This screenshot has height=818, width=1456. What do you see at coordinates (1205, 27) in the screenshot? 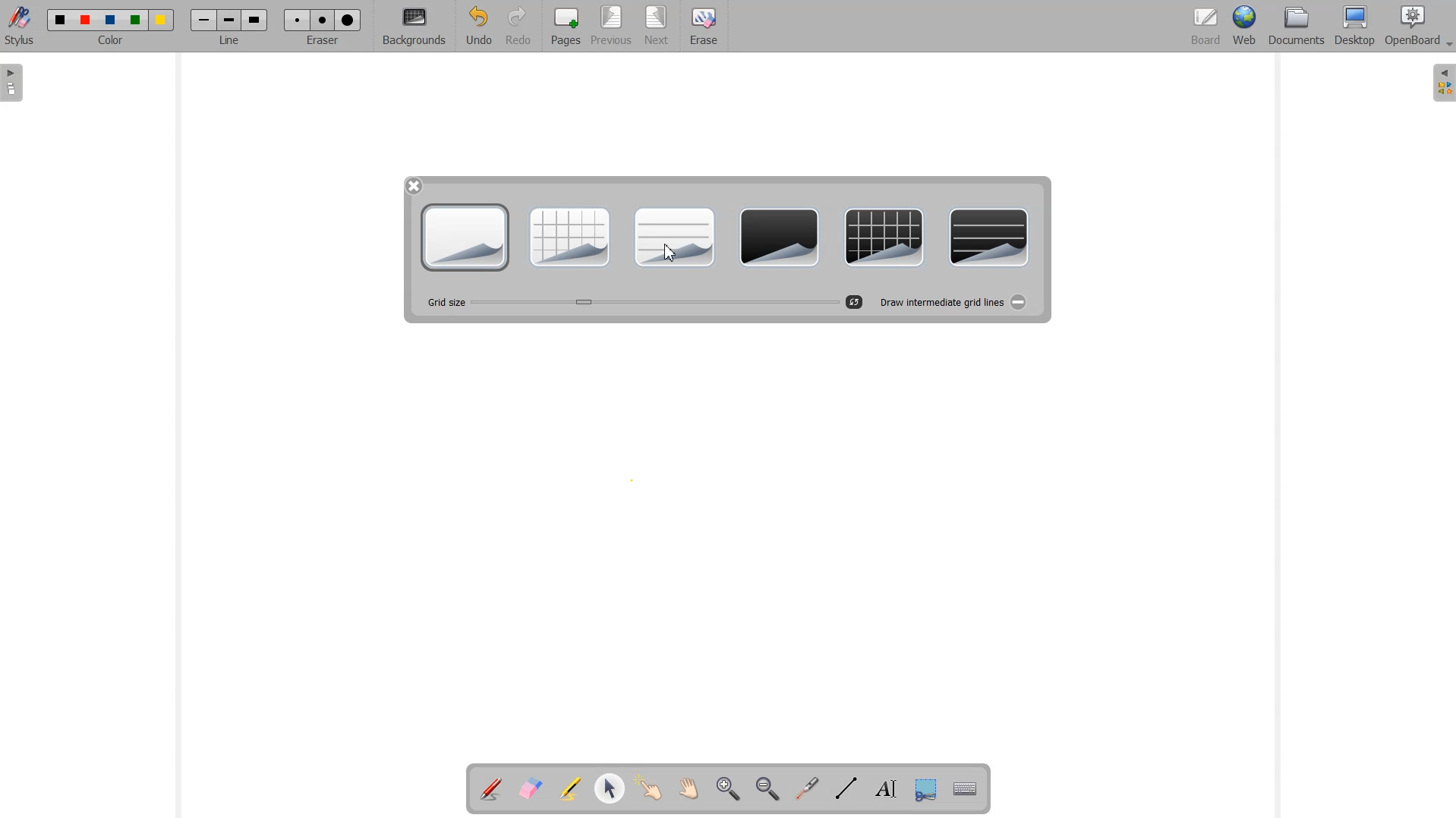
I see `Board` at bounding box center [1205, 27].